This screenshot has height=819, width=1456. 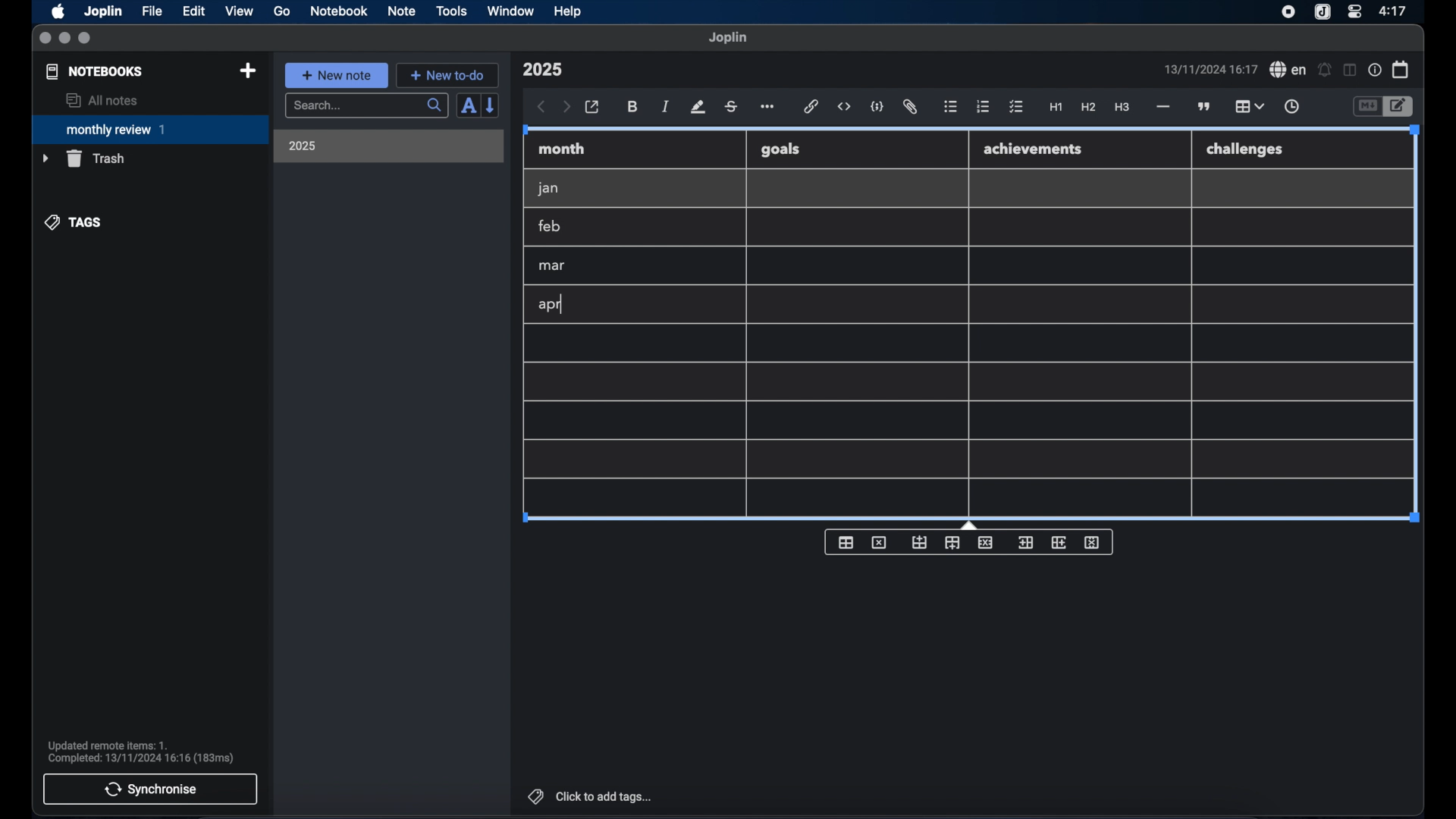 What do you see at coordinates (105, 12) in the screenshot?
I see `Joplin` at bounding box center [105, 12].